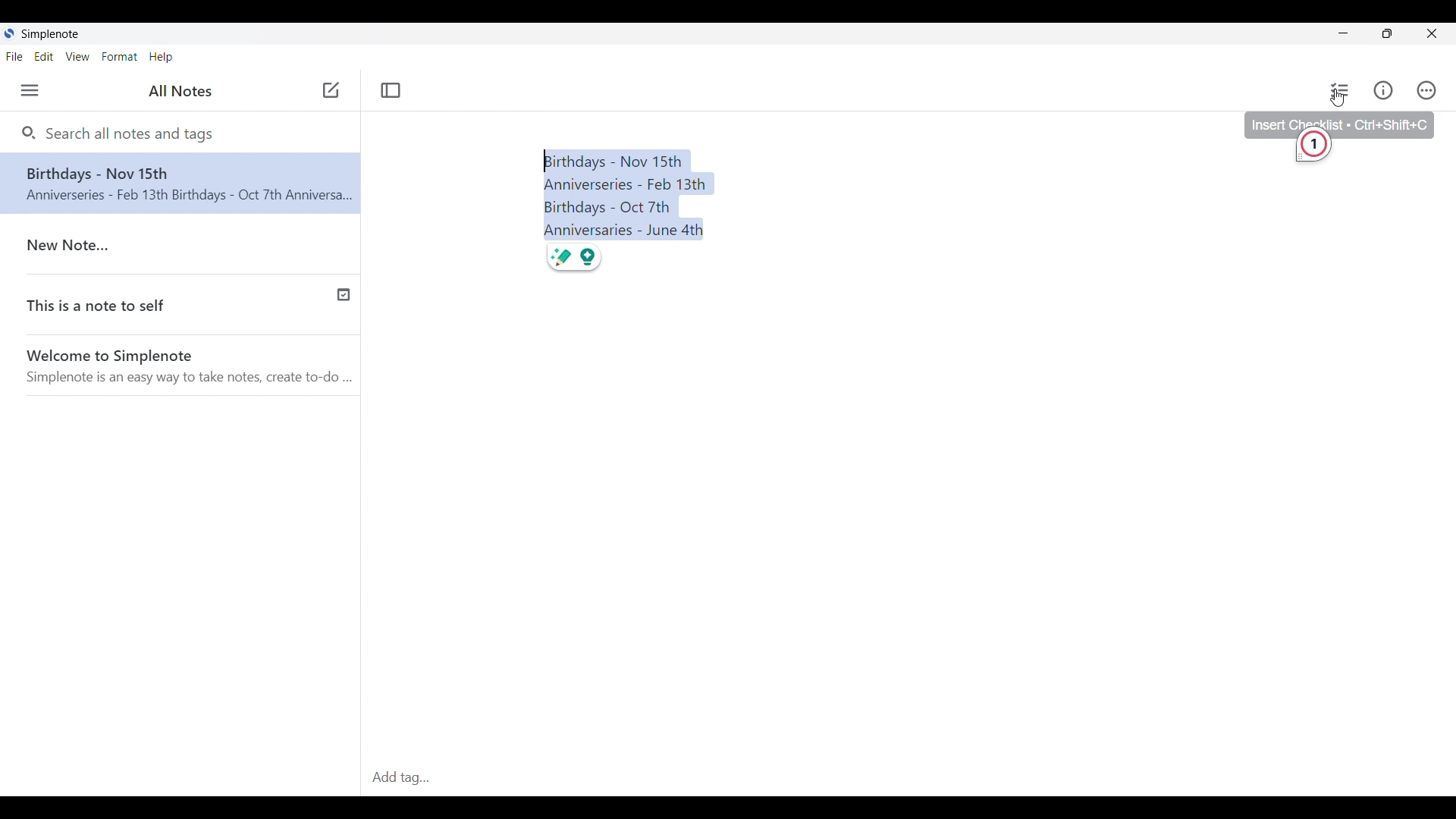 This screenshot has height=819, width=1456. I want to click on Insert Checklist+Ctrl+Shift+C(Description of selected icon), so click(1339, 121).